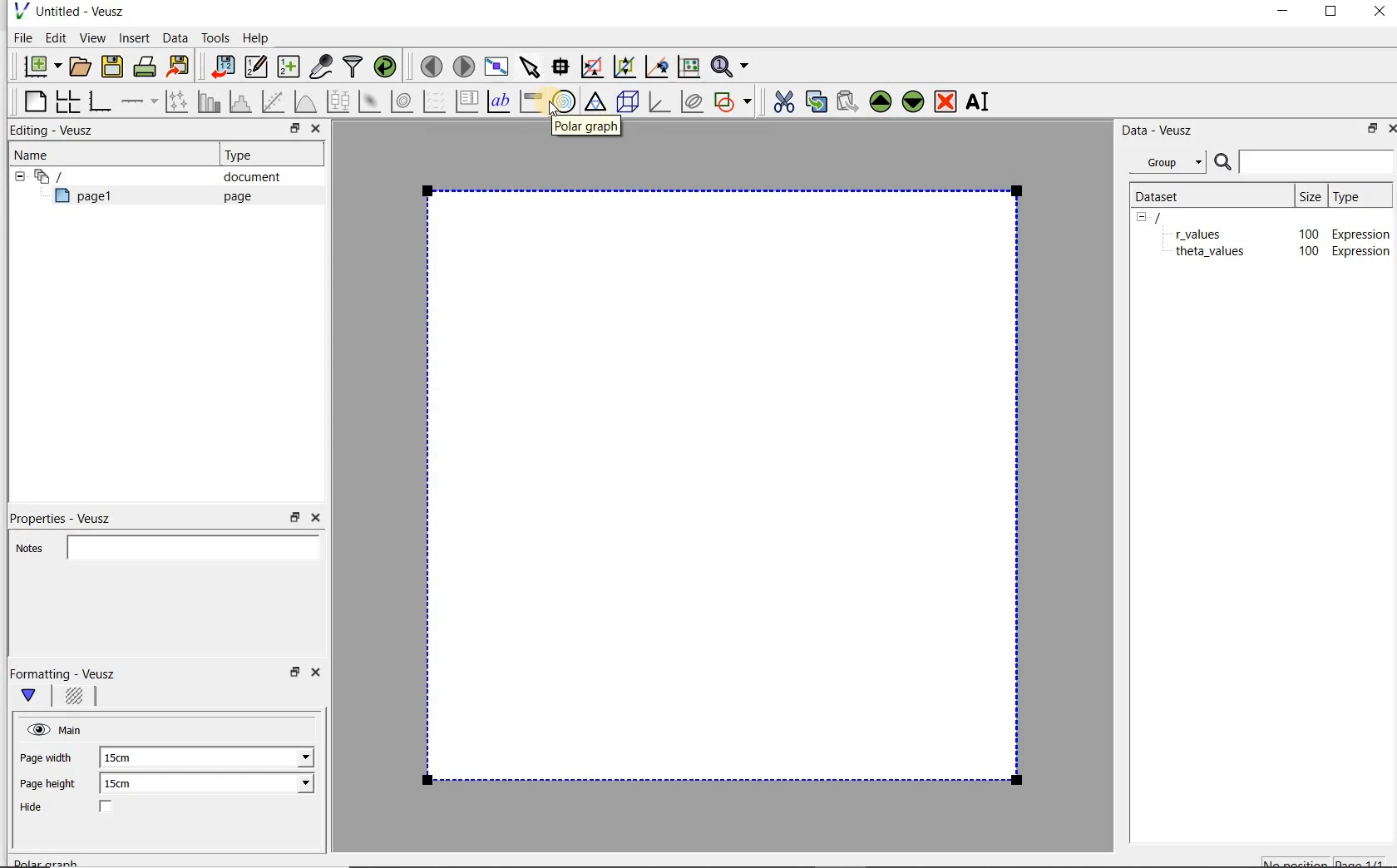  Describe the element at coordinates (881, 101) in the screenshot. I see `Move the selected widget up` at that location.